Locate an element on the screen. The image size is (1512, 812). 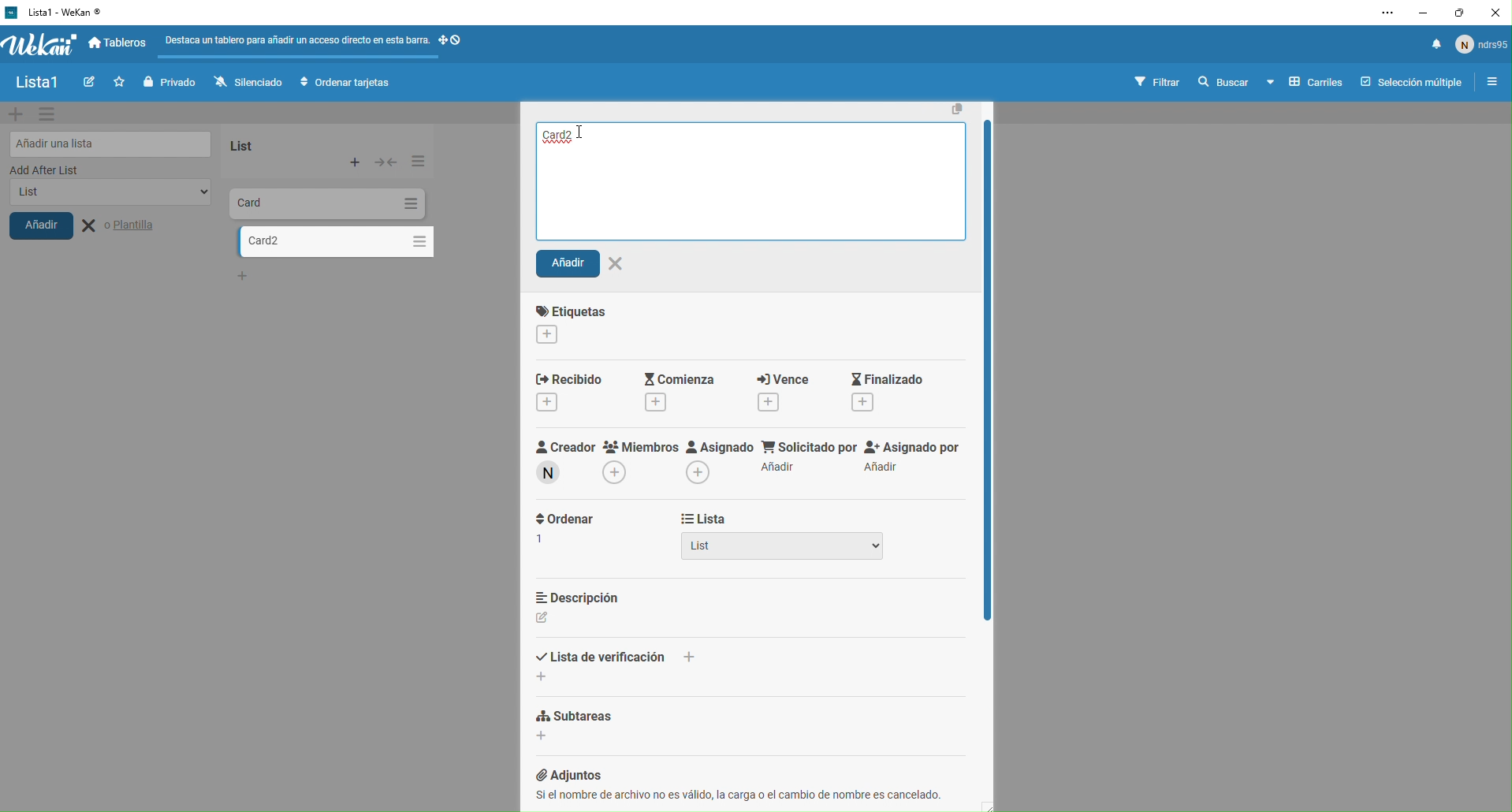
List is located at coordinates (795, 549).